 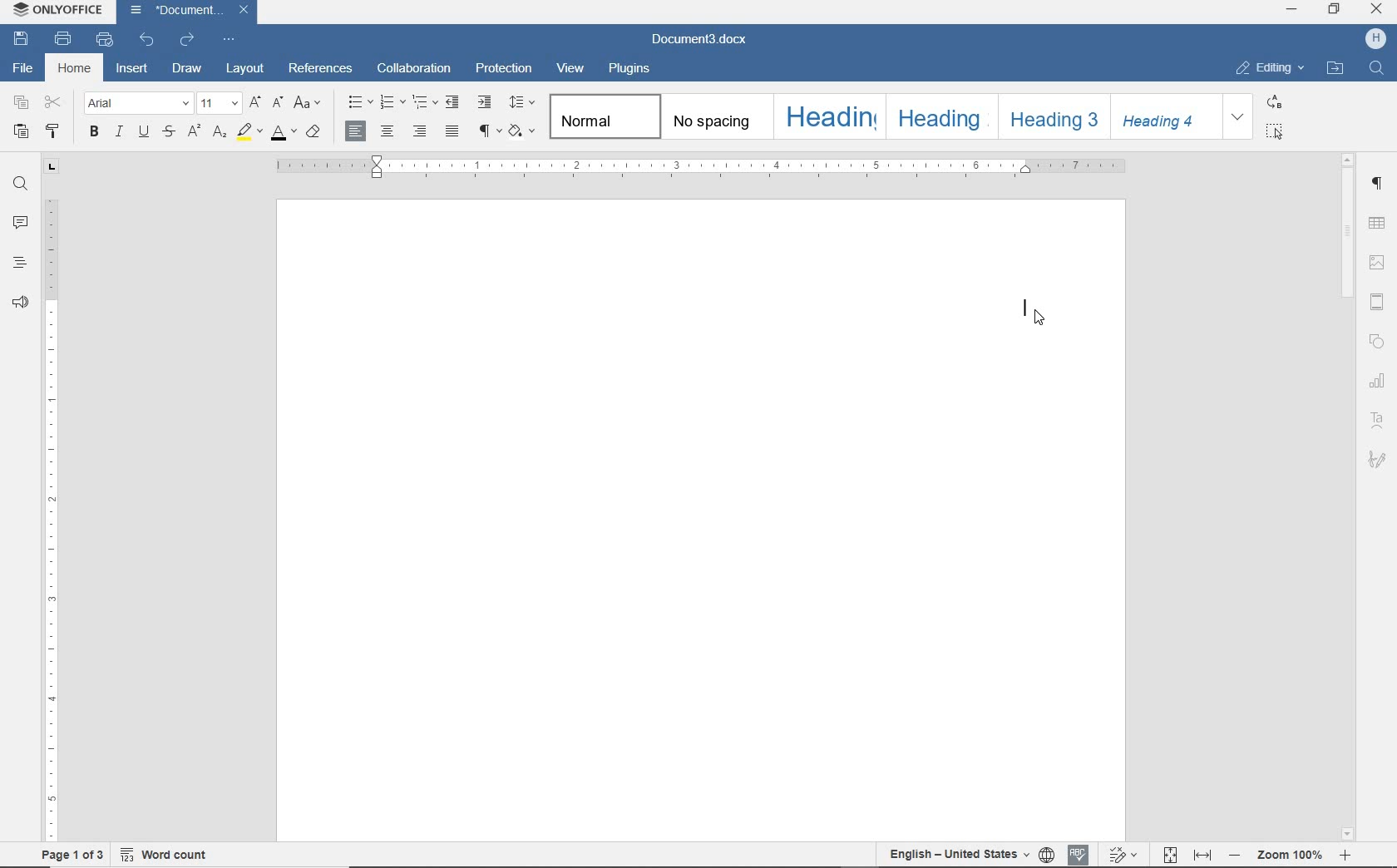 What do you see at coordinates (391, 103) in the screenshot?
I see `NUMBERING` at bounding box center [391, 103].